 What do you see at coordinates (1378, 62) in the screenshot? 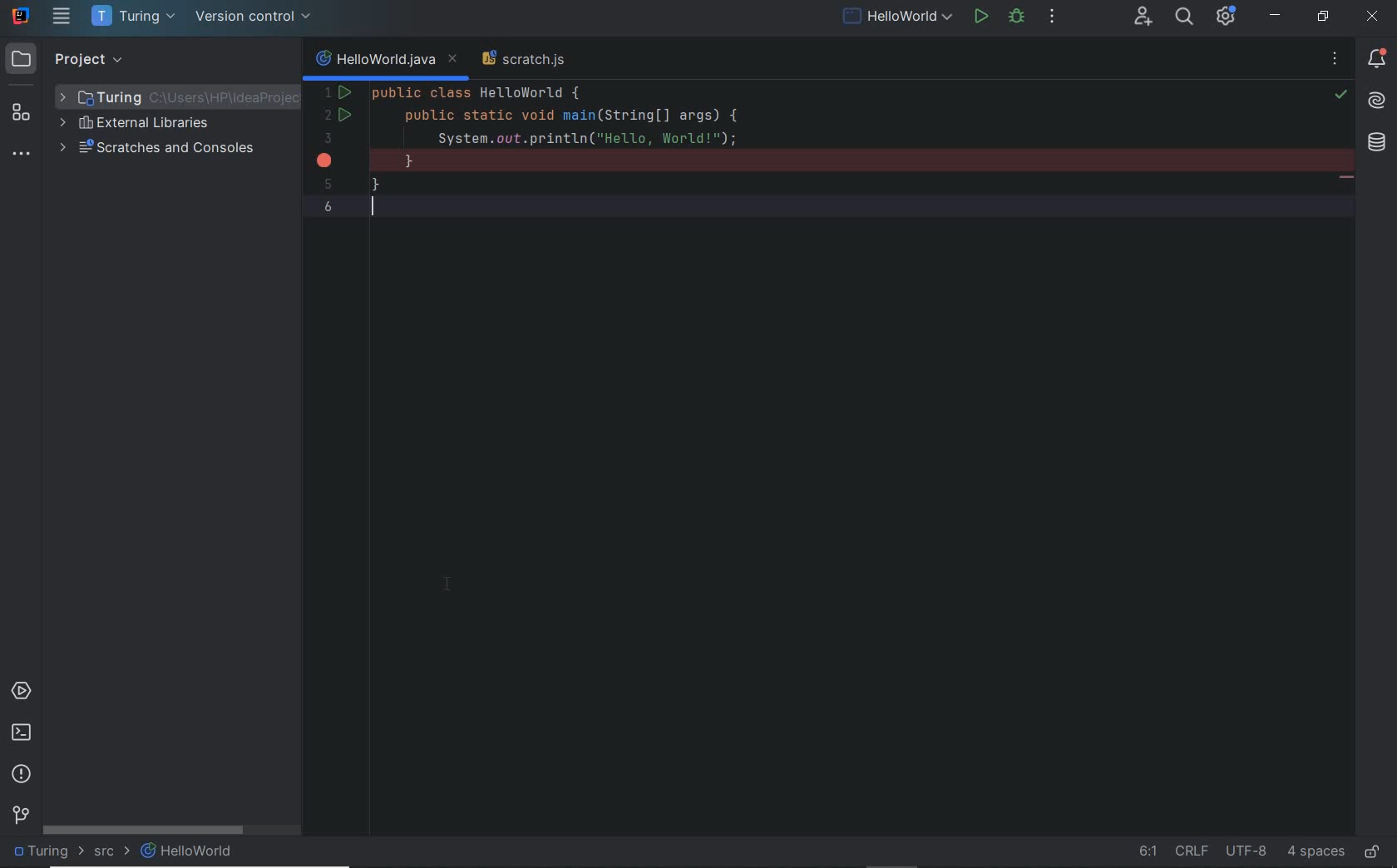
I see `notifications` at bounding box center [1378, 62].